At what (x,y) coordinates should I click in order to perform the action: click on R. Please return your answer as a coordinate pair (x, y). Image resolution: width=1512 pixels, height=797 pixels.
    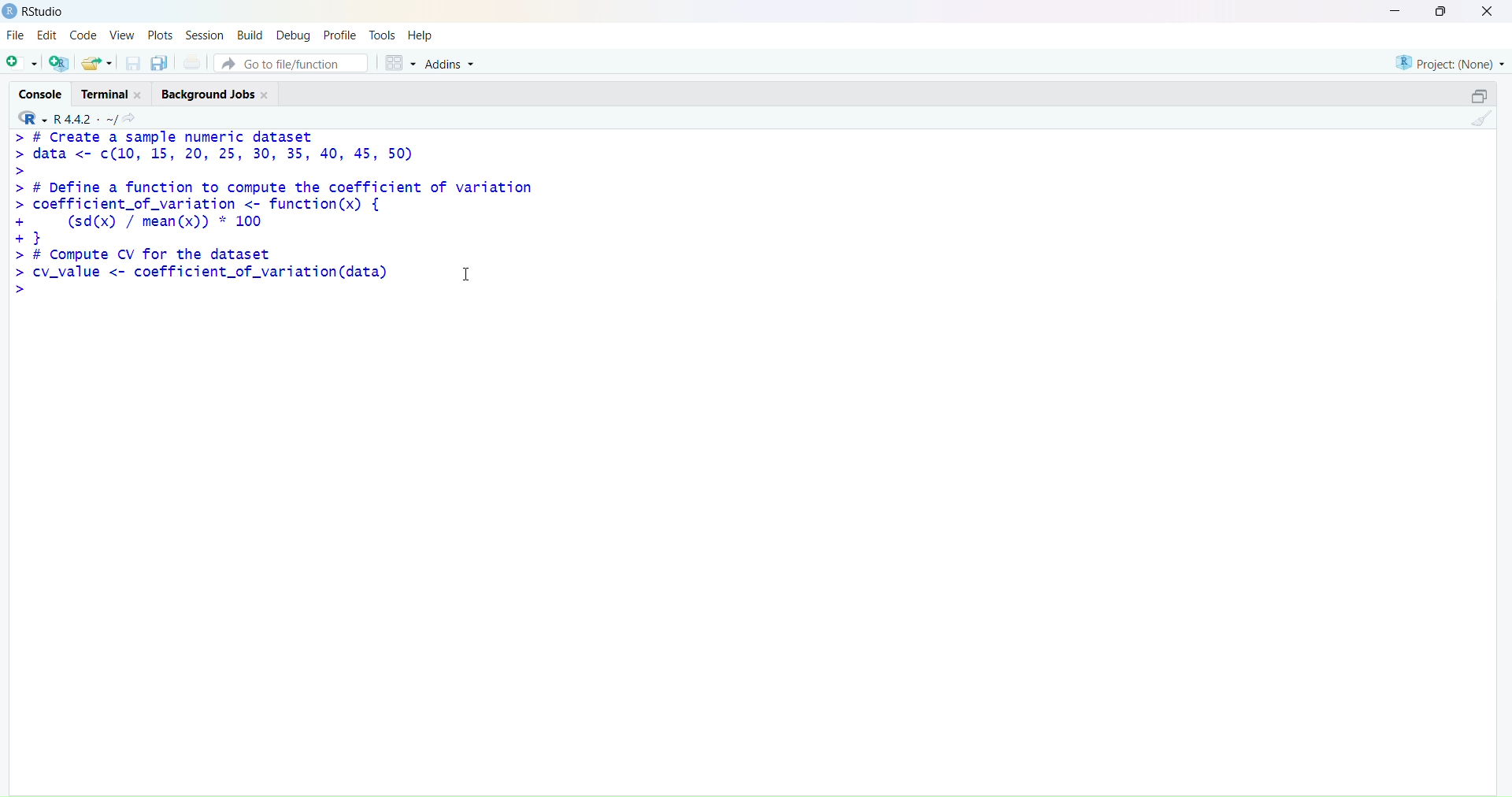
    Looking at the image, I should click on (33, 117).